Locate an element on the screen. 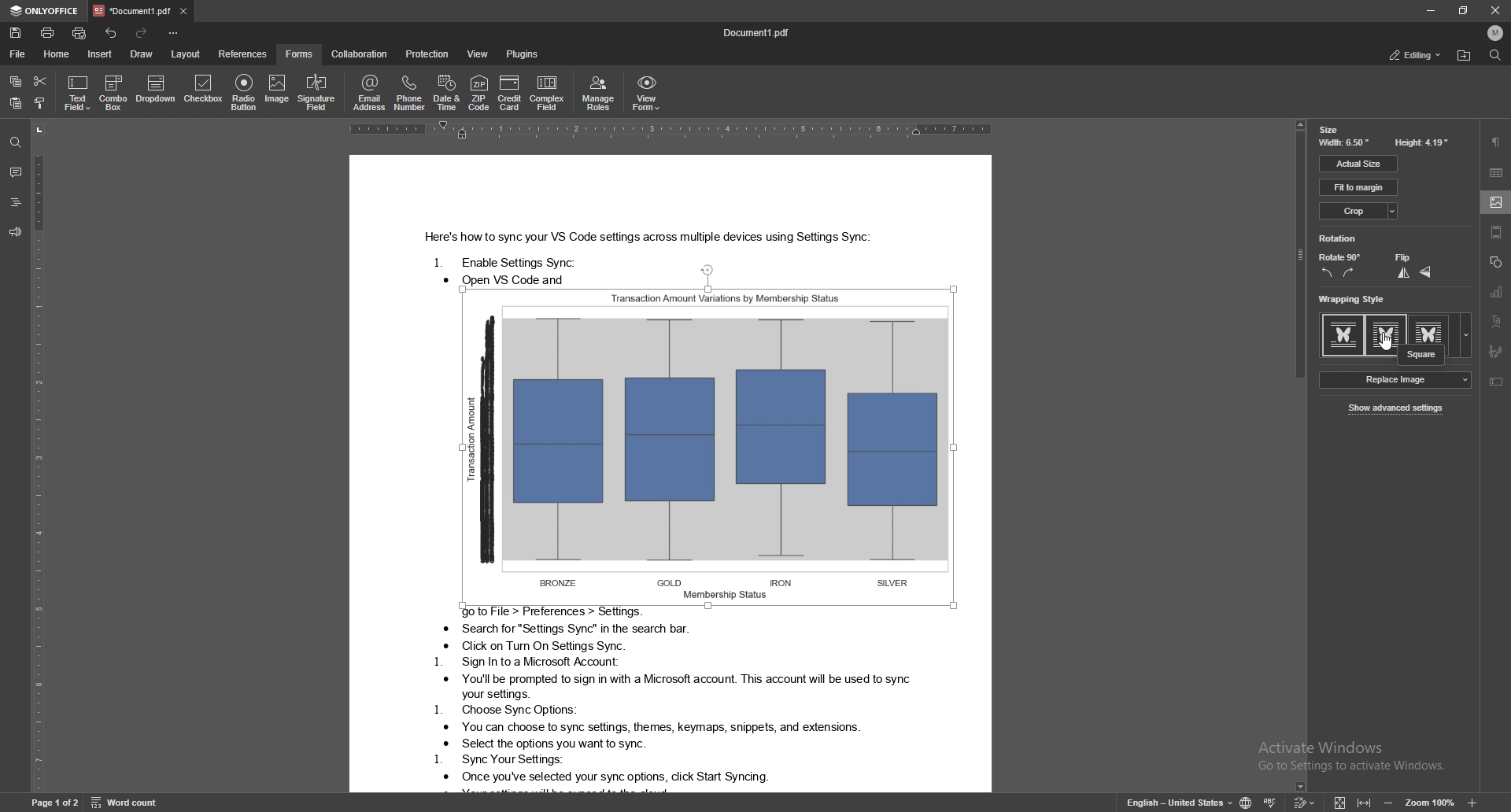 The width and height of the screenshot is (1511, 812). style 3 is located at coordinates (1433, 330).